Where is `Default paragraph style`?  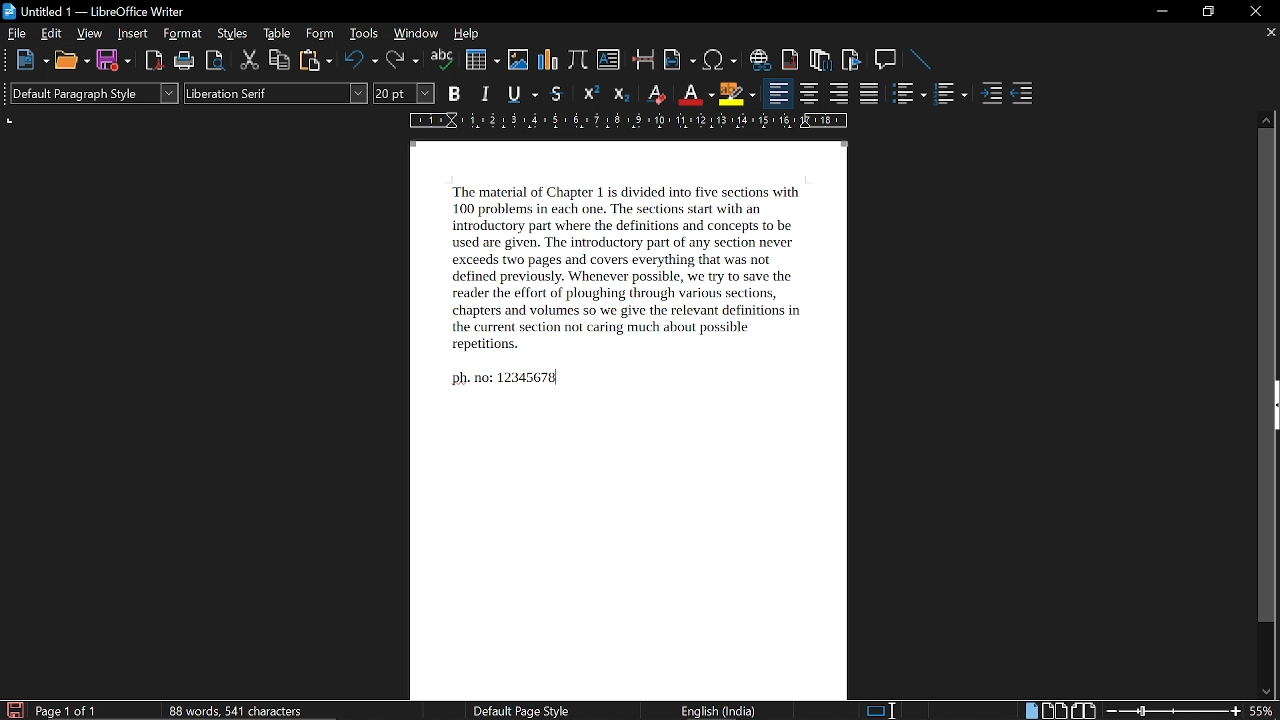 Default paragraph style is located at coordinates (94, 93).